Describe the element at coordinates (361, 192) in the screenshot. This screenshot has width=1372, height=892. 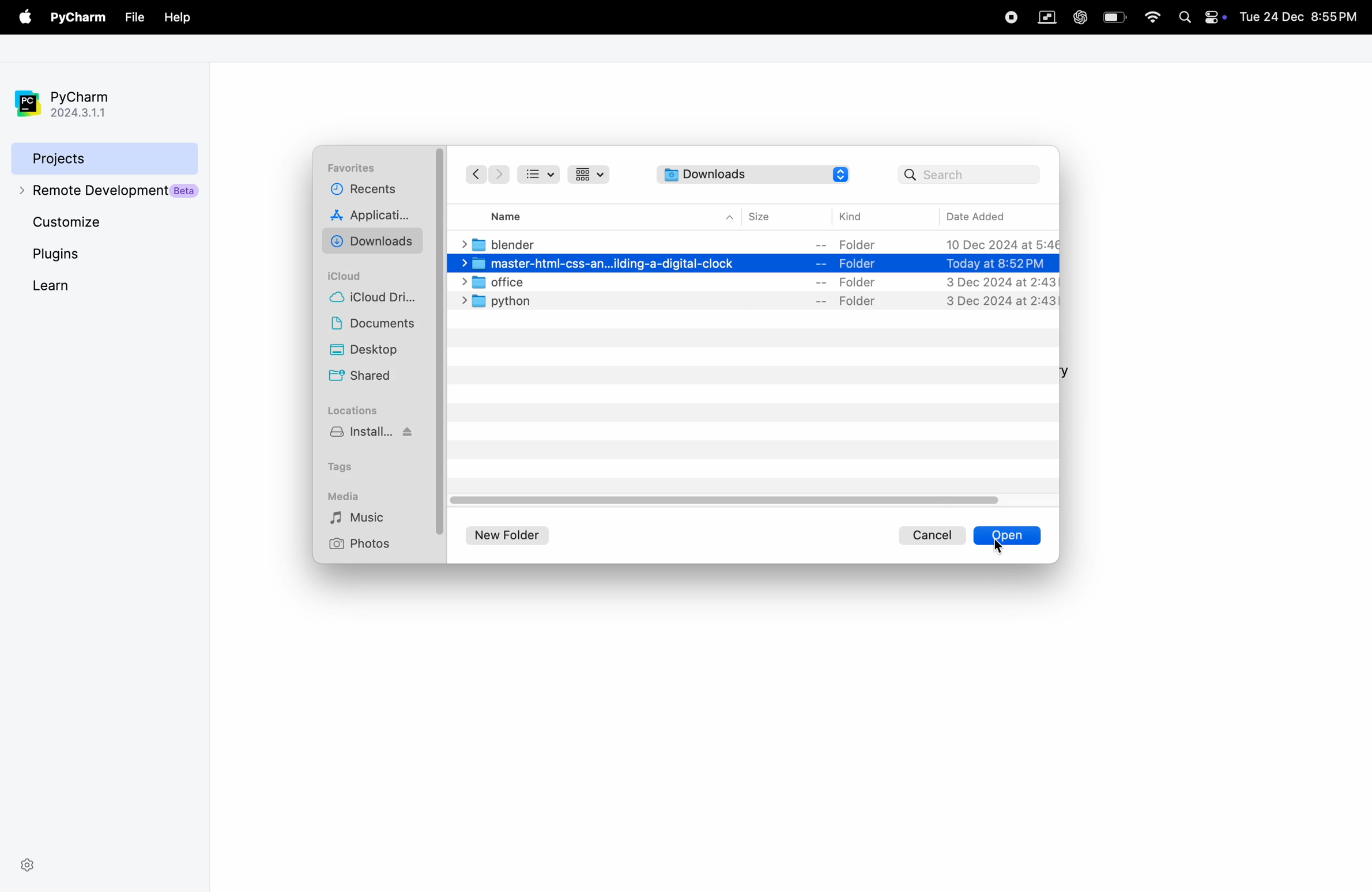
I see `recents` at that location.